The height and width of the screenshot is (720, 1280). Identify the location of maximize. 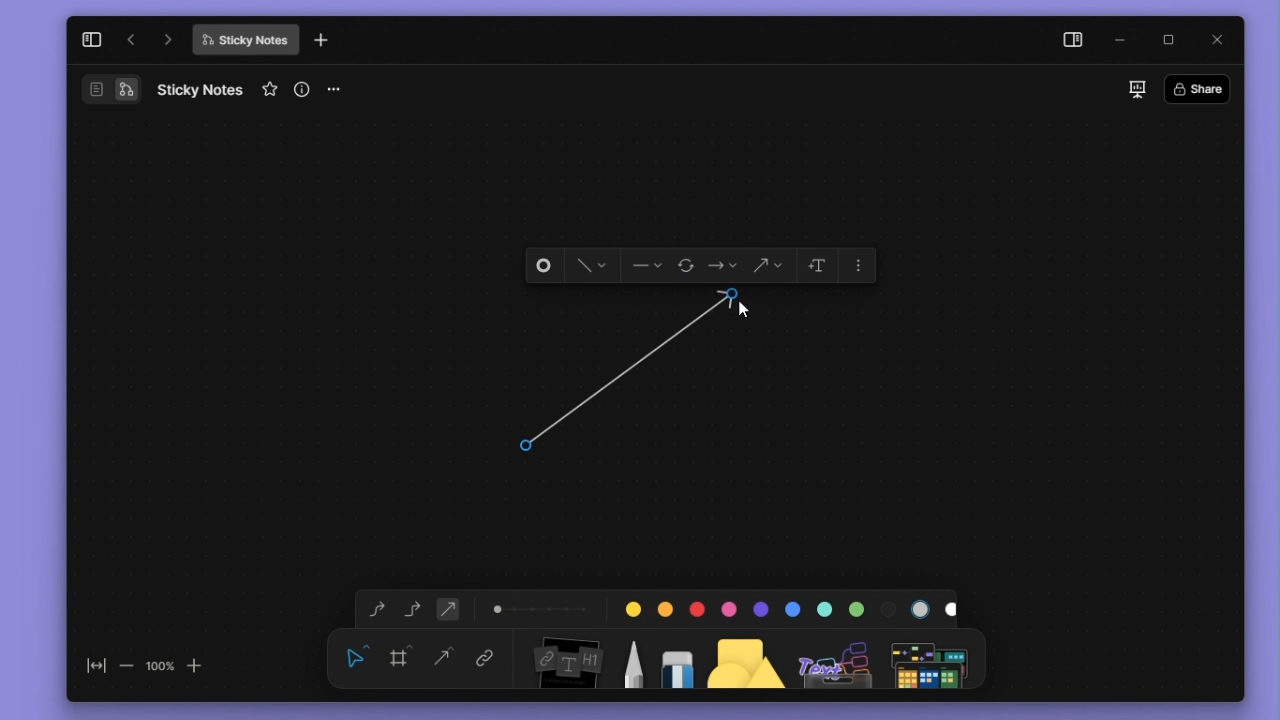
(1175, 41).